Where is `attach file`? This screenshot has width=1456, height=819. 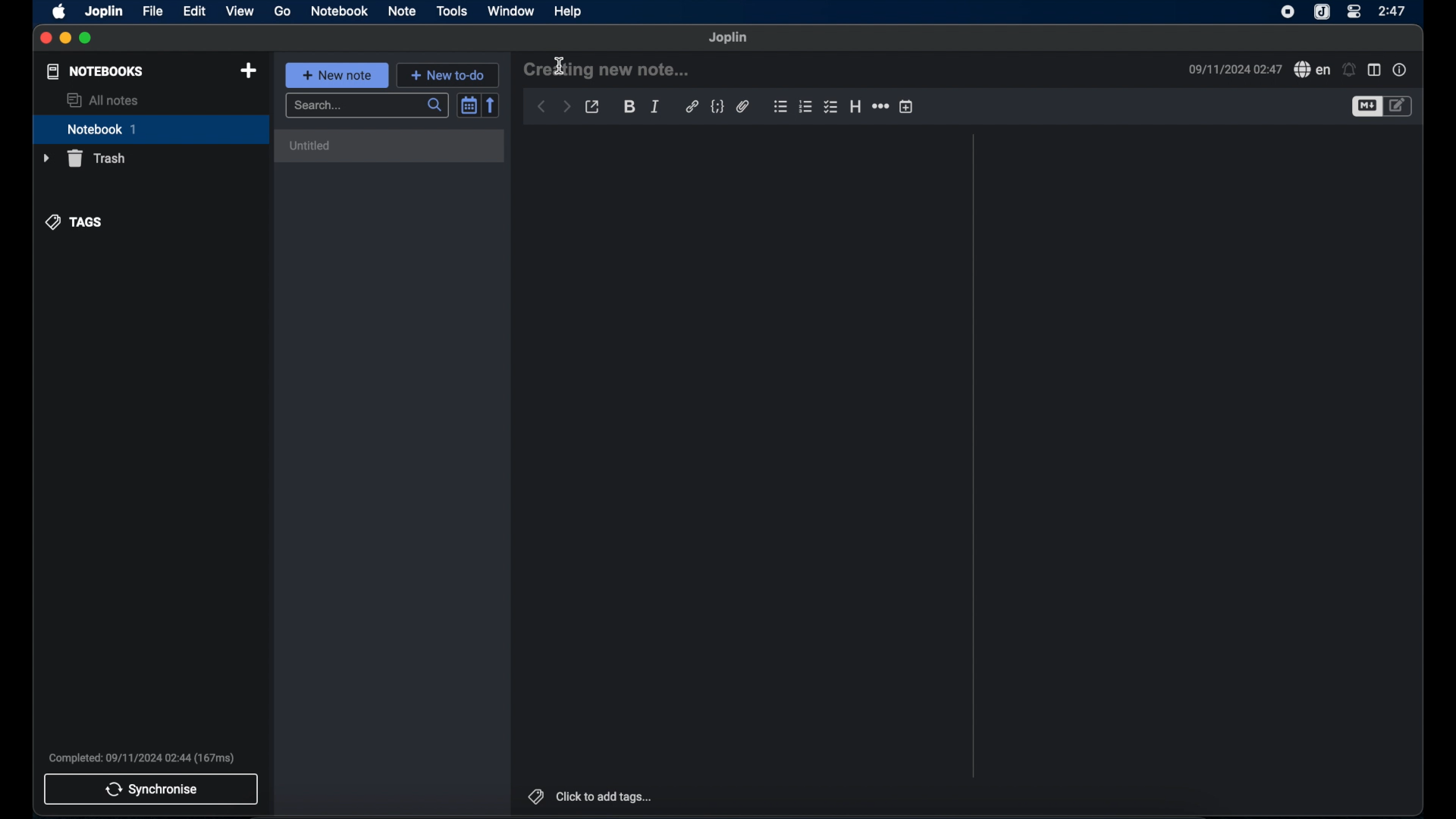
attach file is located at coordinates (742, 107).